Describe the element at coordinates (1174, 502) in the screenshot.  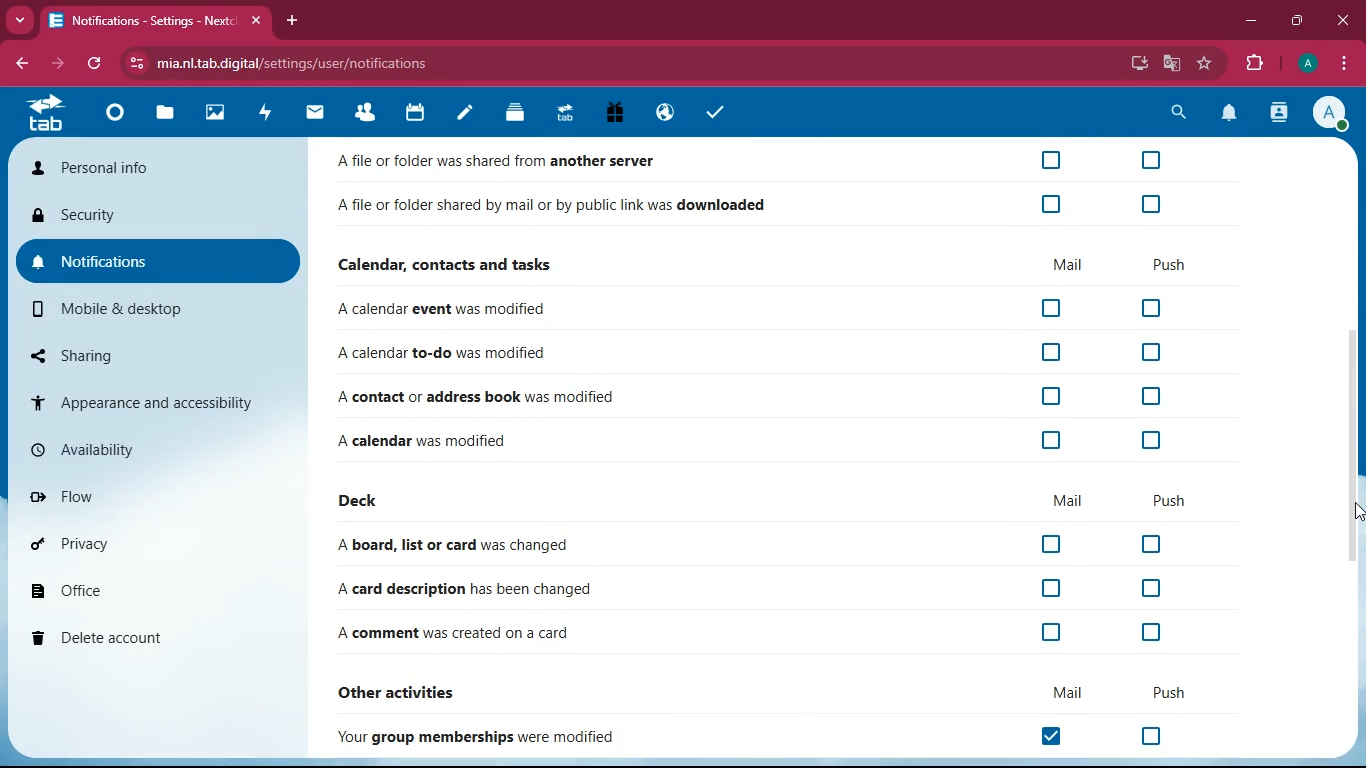
I see `push` at that location.